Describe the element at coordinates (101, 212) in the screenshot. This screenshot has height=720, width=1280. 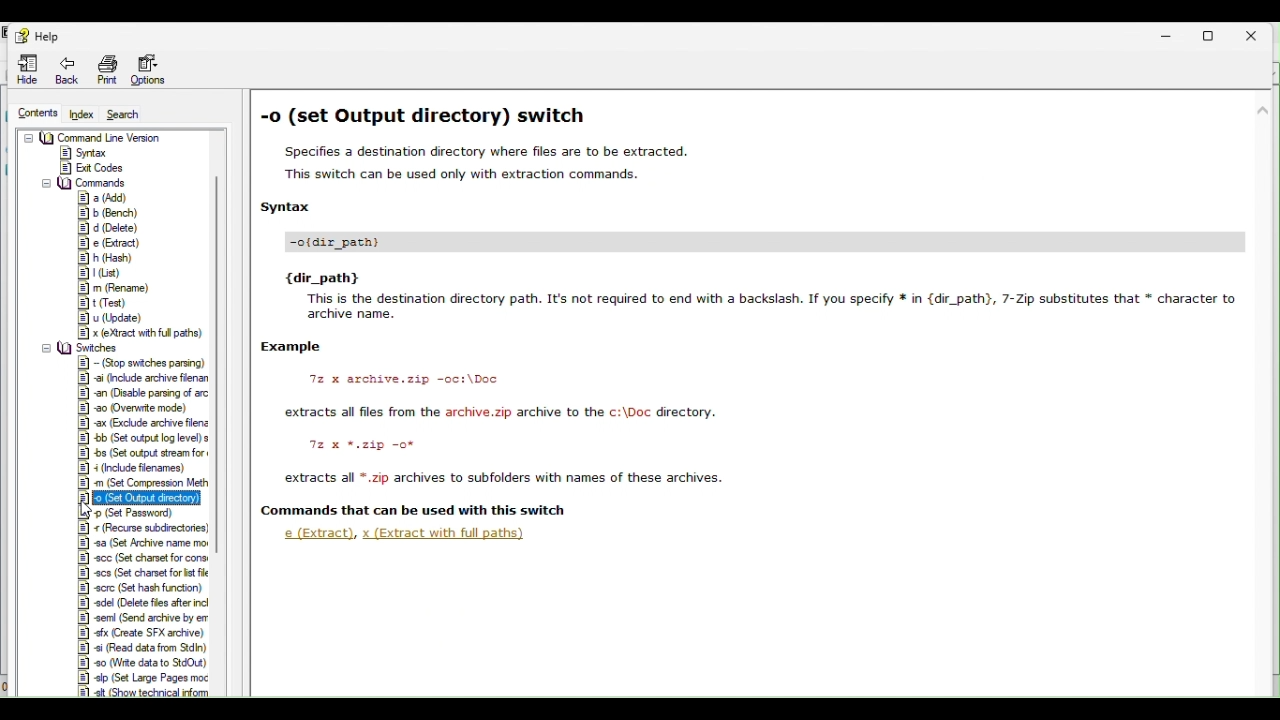
I see `Bench` at that location.